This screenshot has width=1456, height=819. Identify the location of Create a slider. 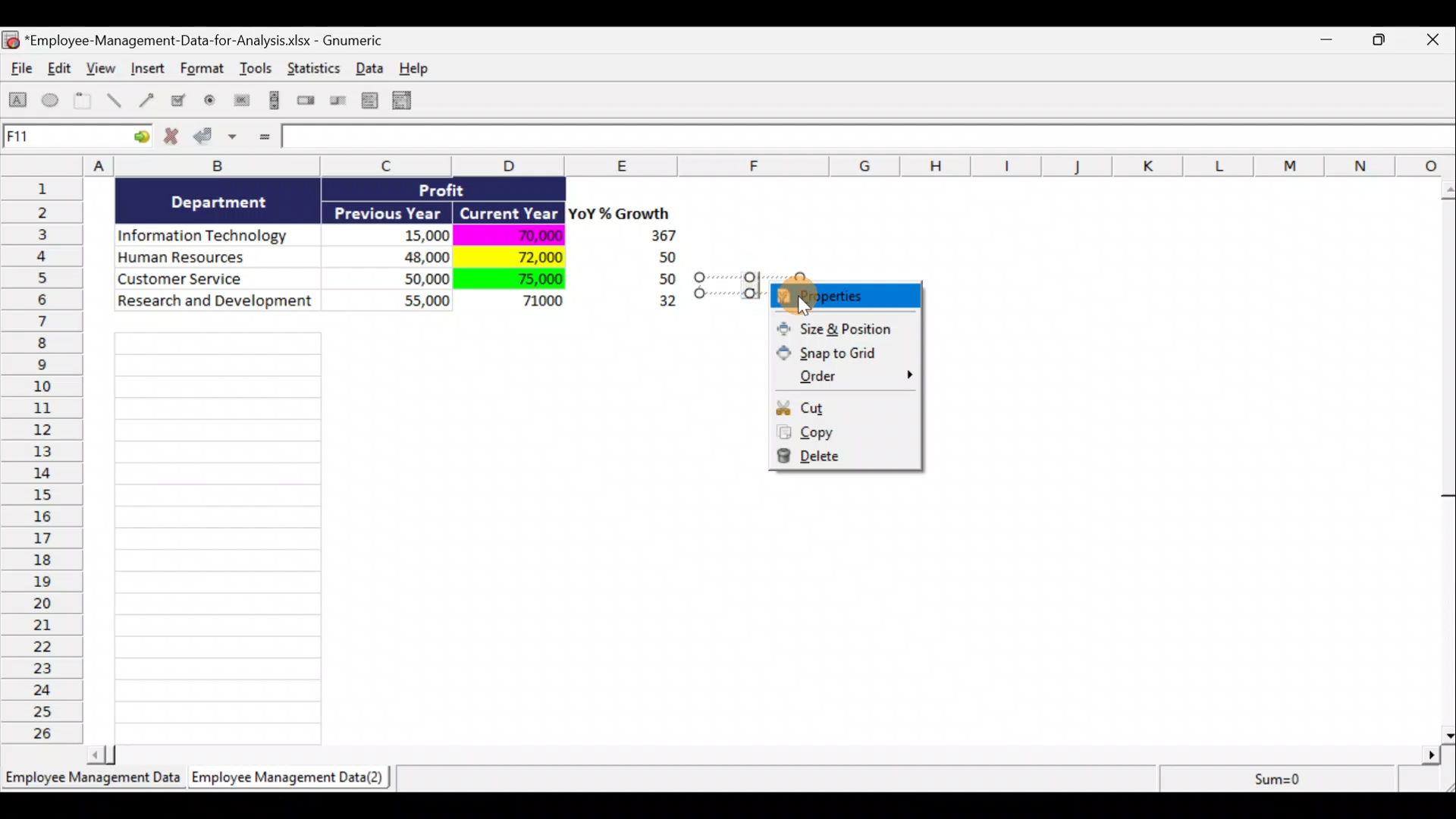
(336, 103).